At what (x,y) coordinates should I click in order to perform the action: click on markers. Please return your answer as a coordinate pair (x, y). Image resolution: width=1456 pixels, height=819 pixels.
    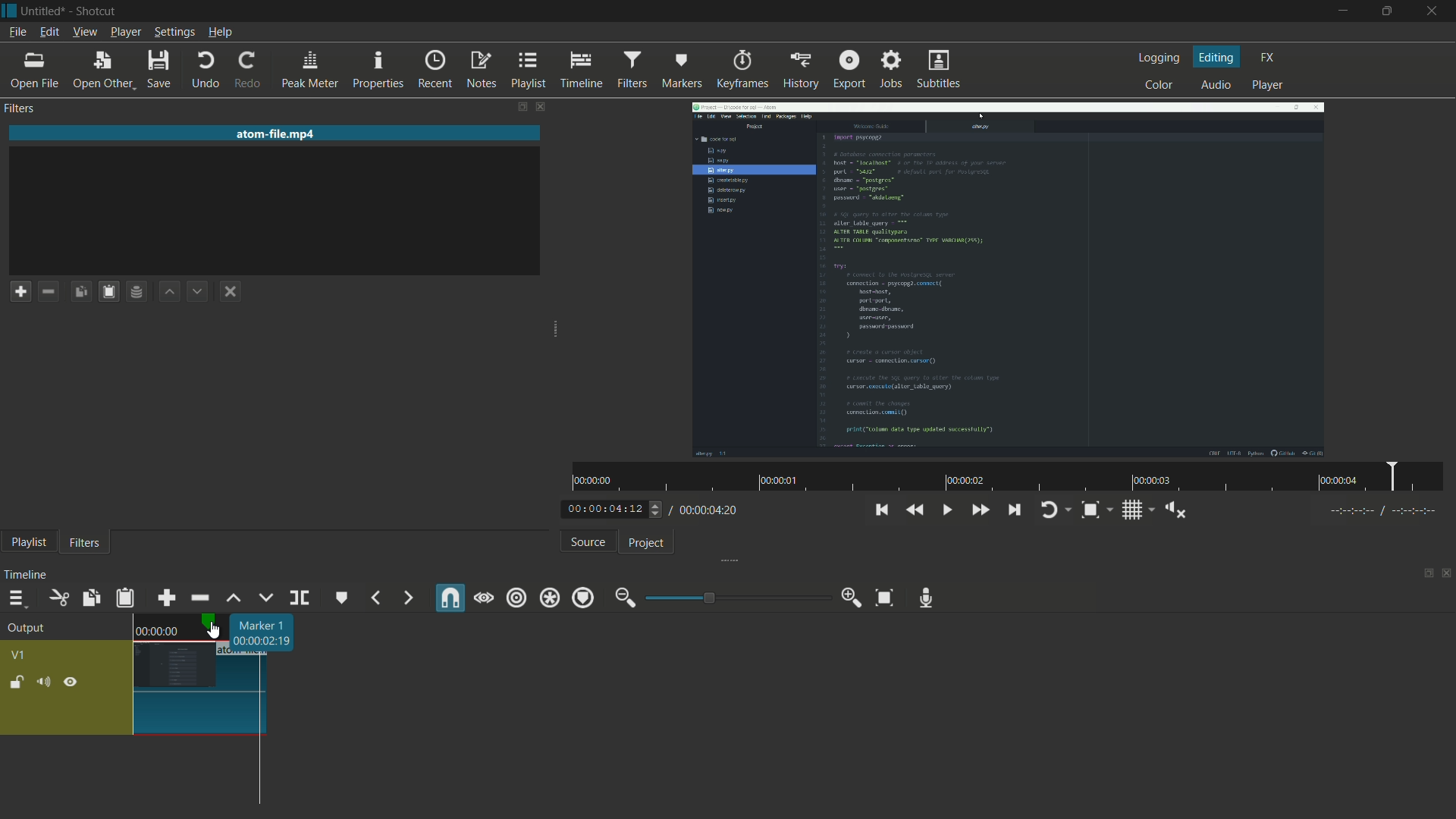
    Looking at the image, I should click on (681, 70).